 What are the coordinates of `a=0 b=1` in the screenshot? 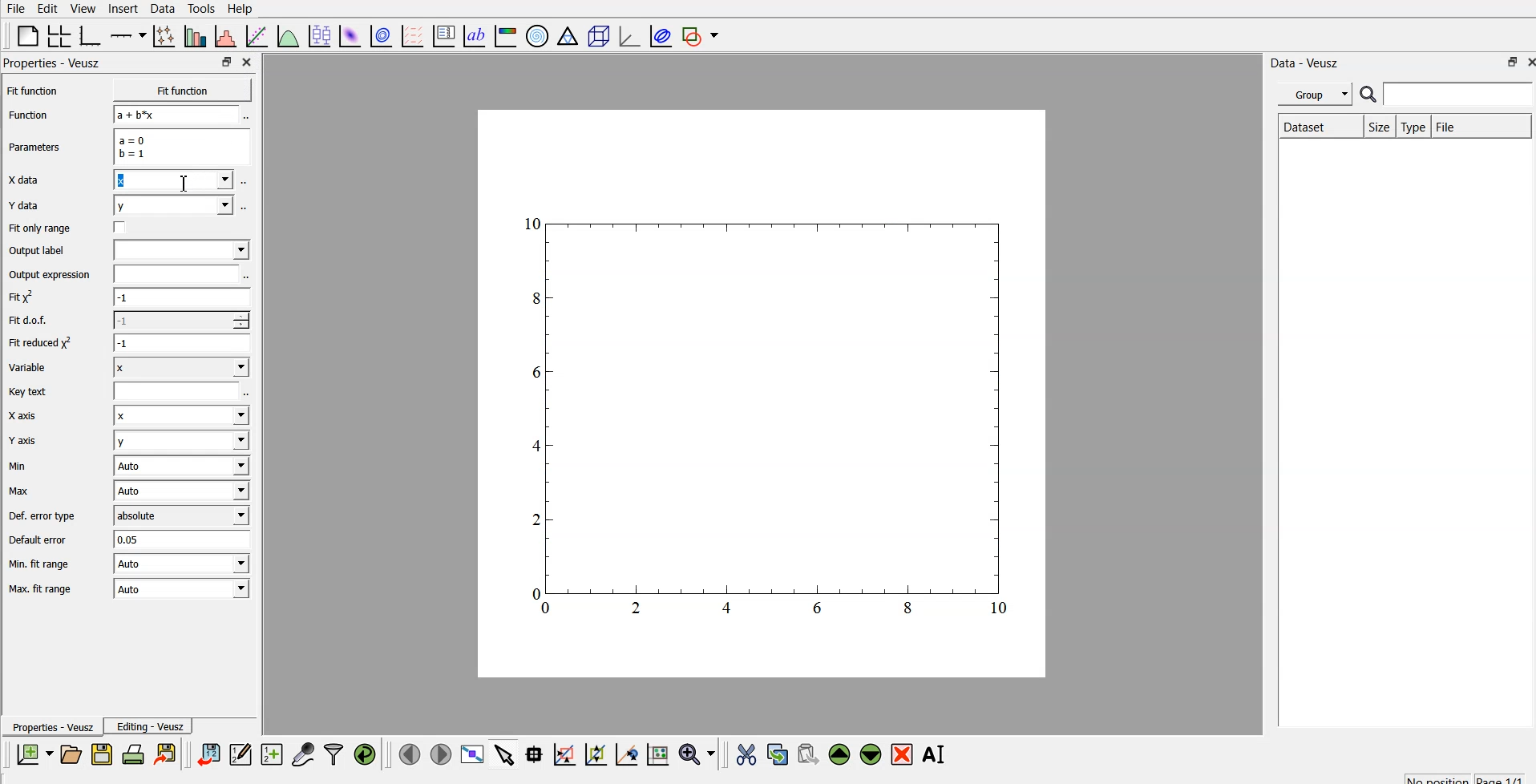 It's located at (179, 148).